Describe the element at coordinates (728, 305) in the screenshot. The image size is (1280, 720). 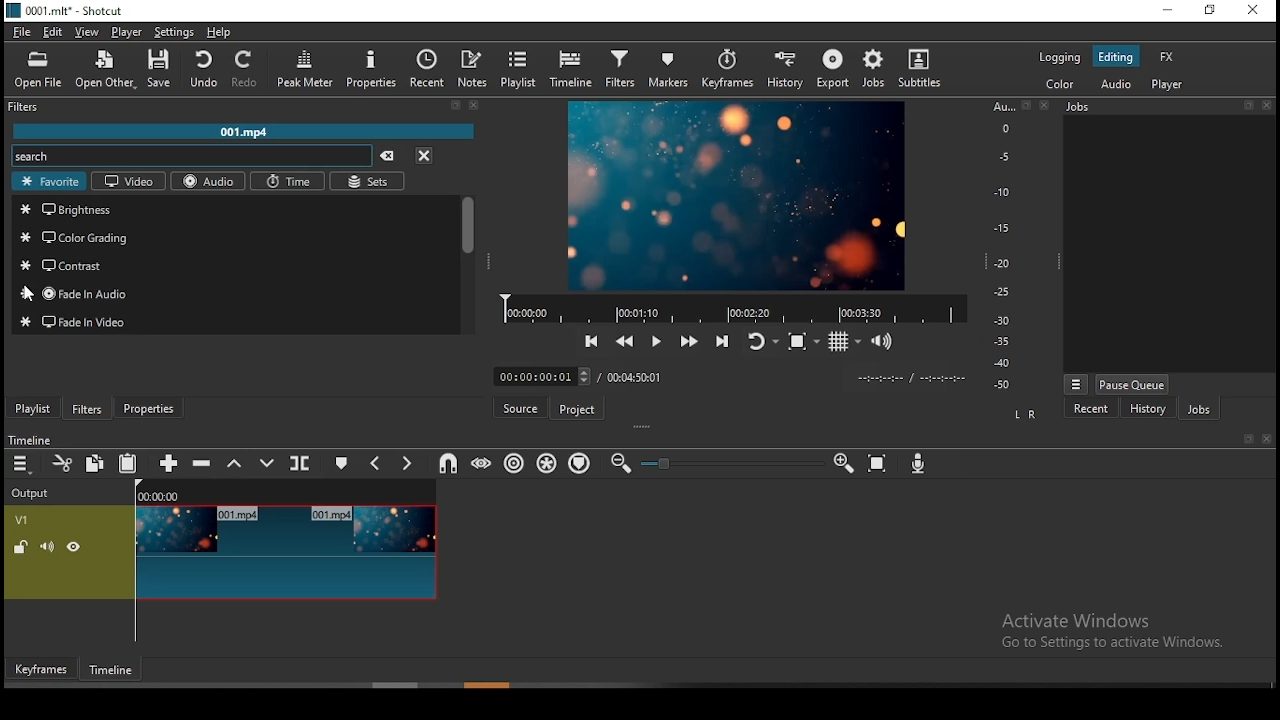
I see `video progress bar` at that location.